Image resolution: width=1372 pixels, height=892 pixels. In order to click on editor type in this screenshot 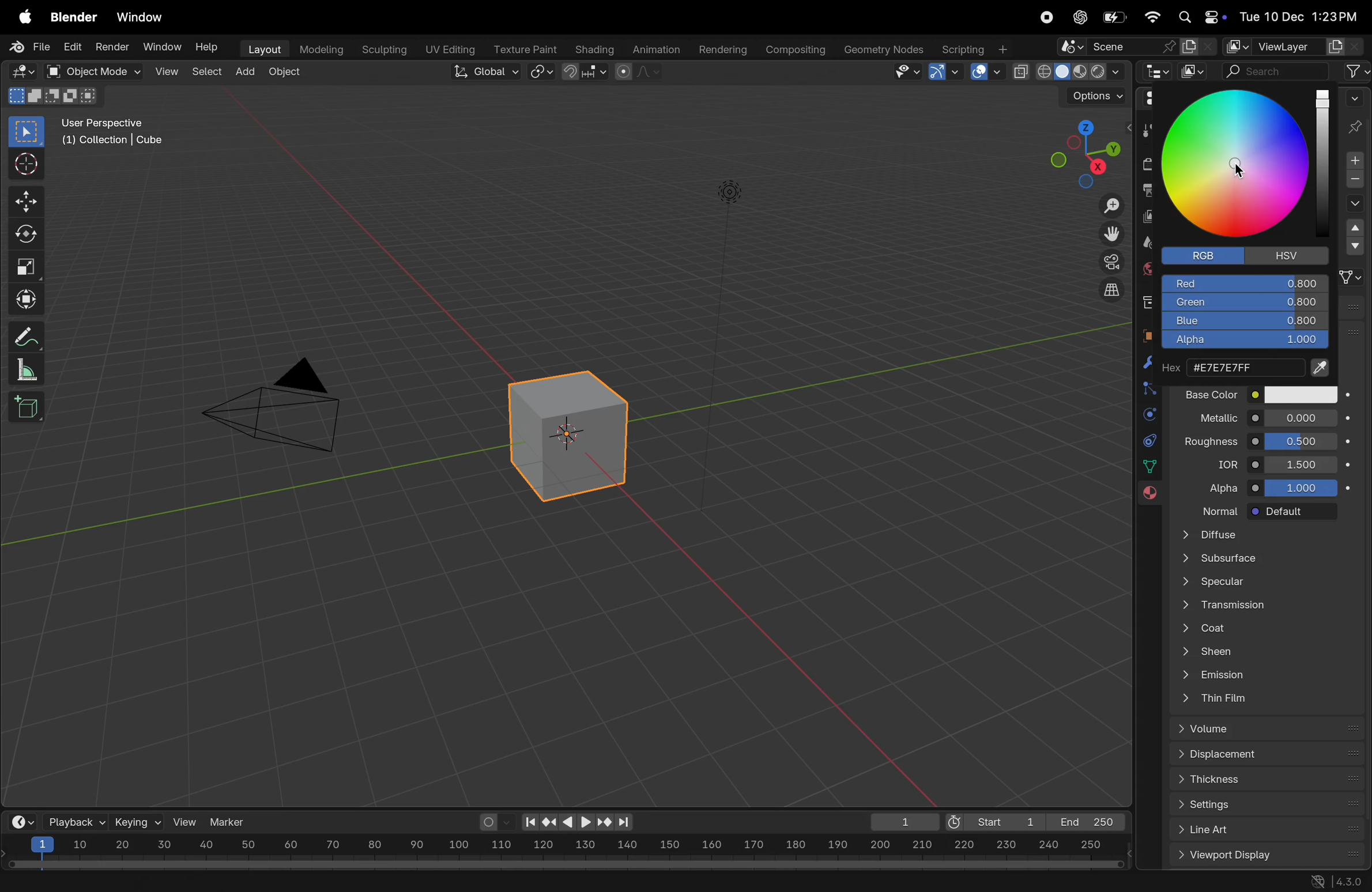, I will do `click(1159, 73)`.